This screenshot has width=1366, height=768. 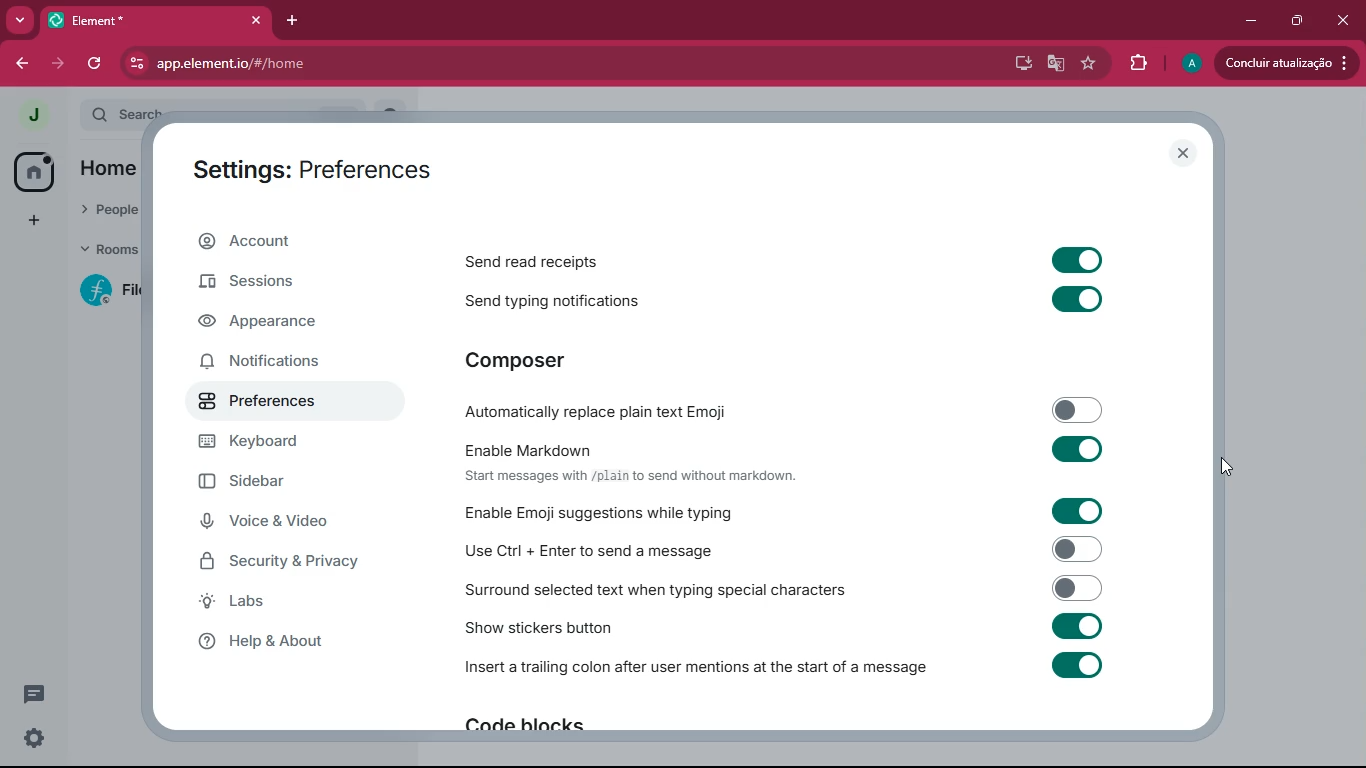 I want to click on Enable Markdown, so click(x=786, y=449).